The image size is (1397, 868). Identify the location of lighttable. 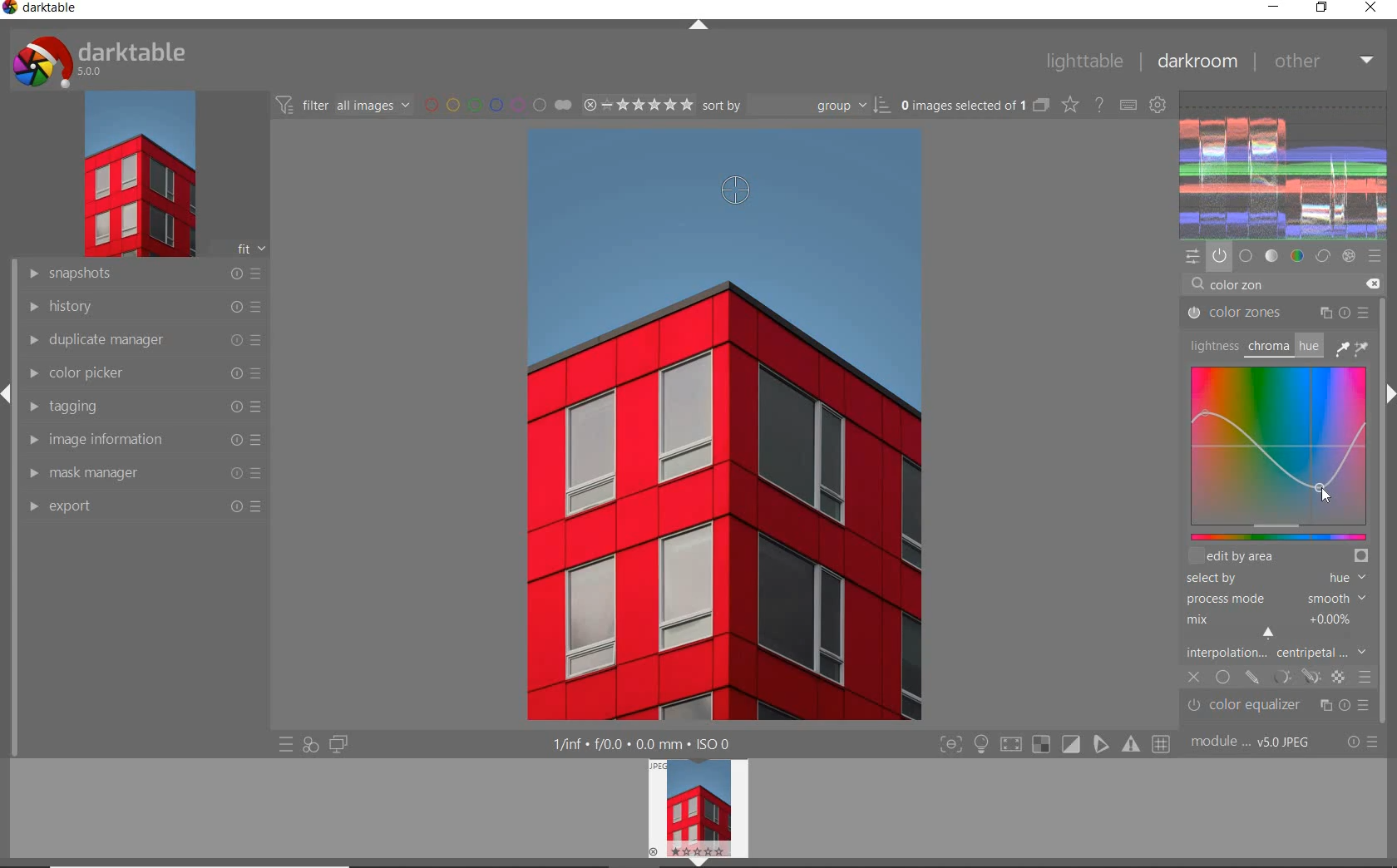
(1083, 62).